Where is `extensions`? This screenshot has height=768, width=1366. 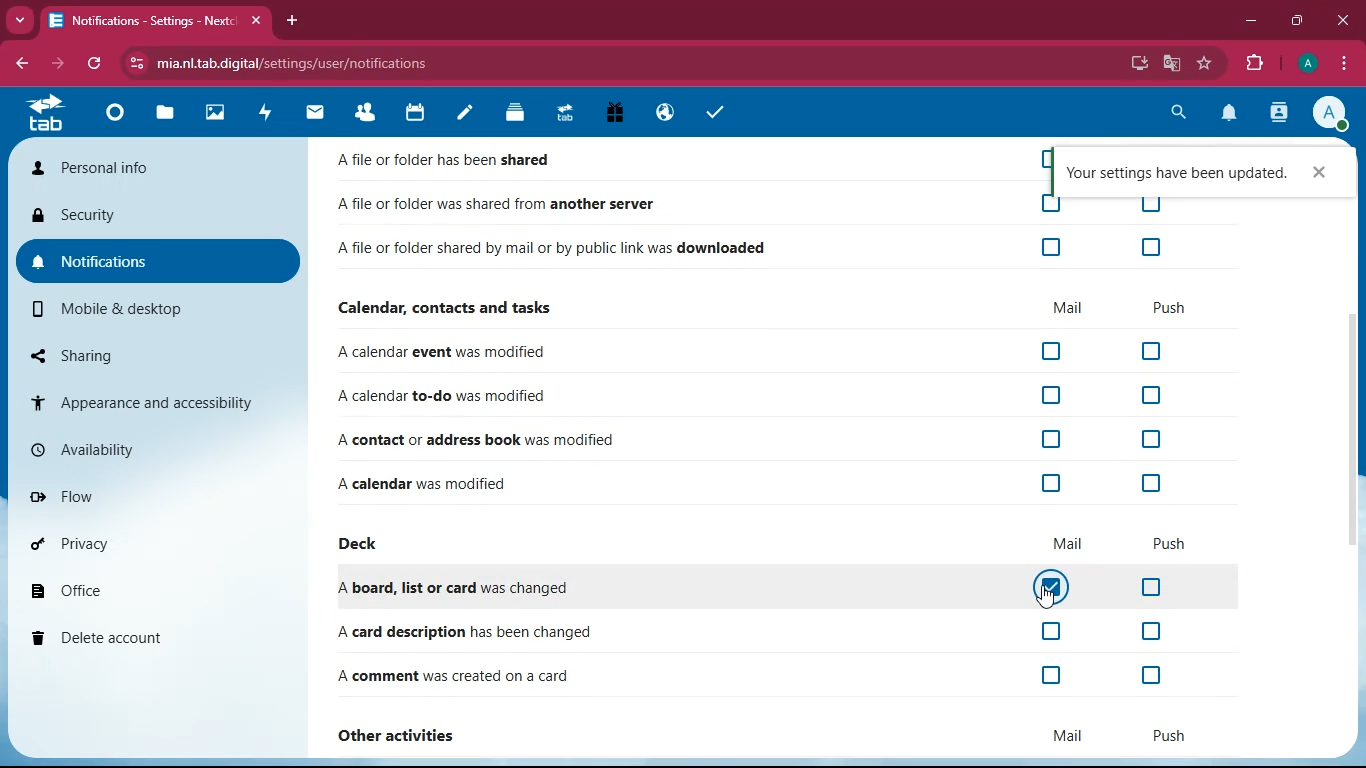 extensions is located at coordinates (1253, 65).